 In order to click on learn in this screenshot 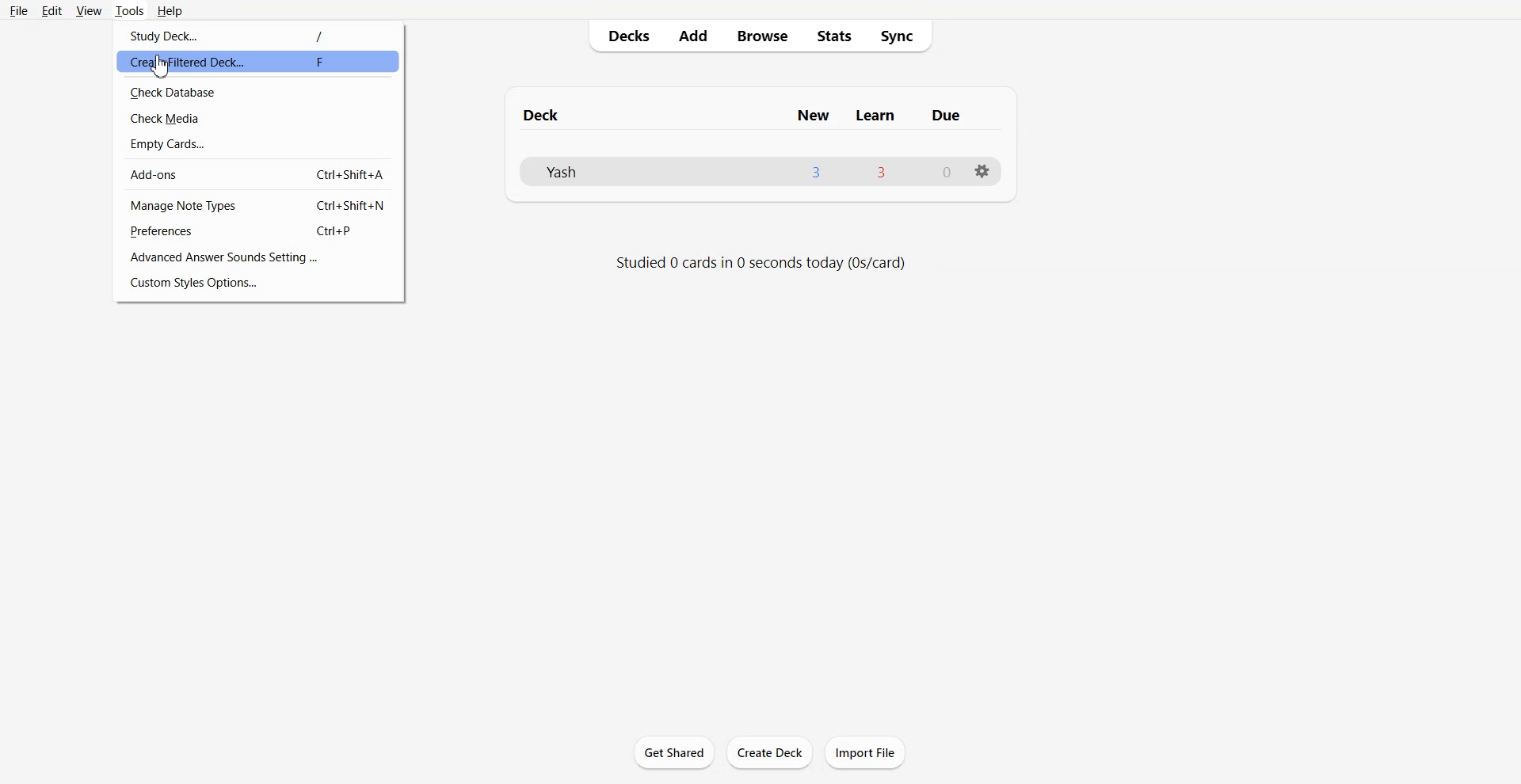, I will do `click(875, 116)`.